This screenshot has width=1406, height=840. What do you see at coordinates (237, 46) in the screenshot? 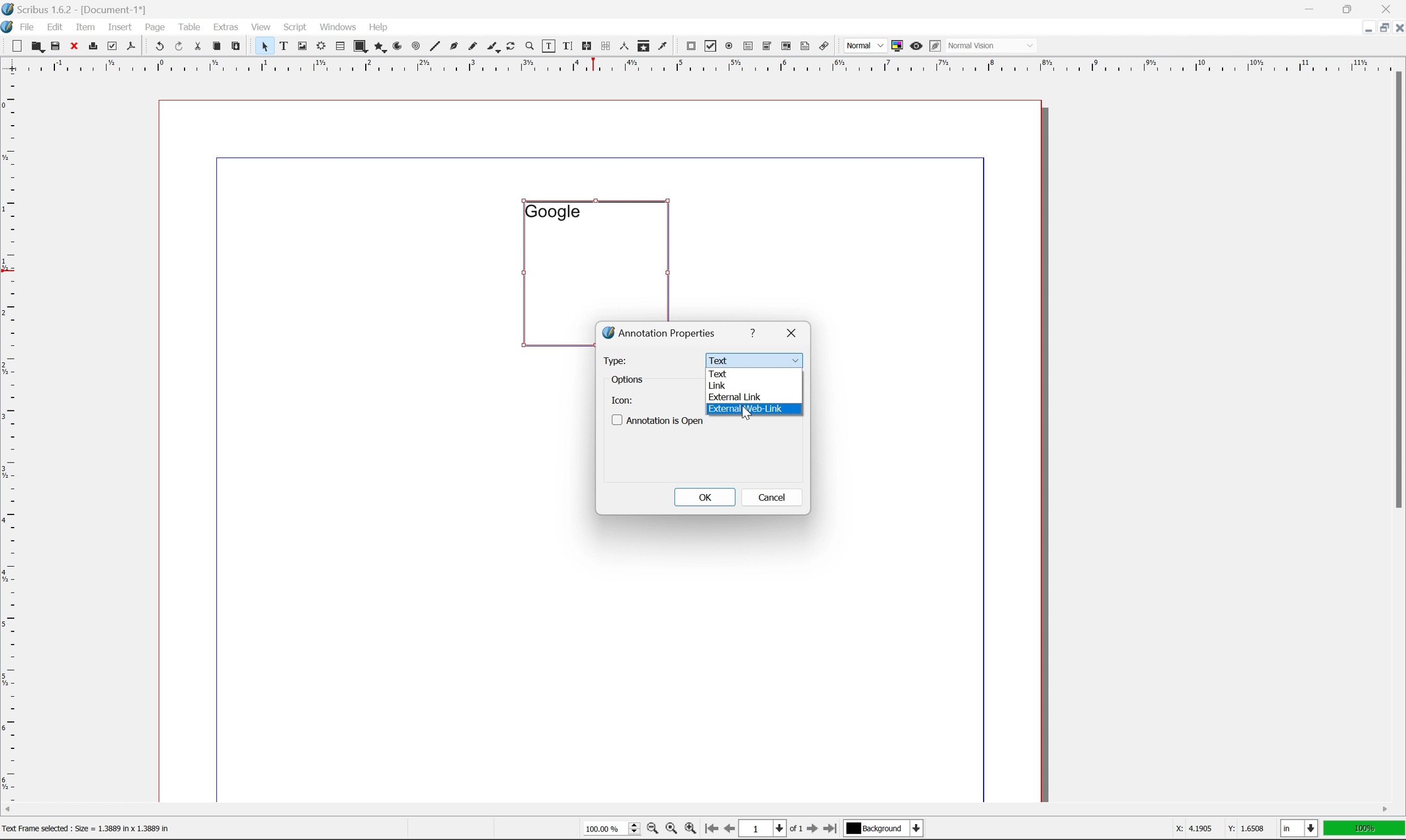
I see `paste` at bounding box center [237, 46].